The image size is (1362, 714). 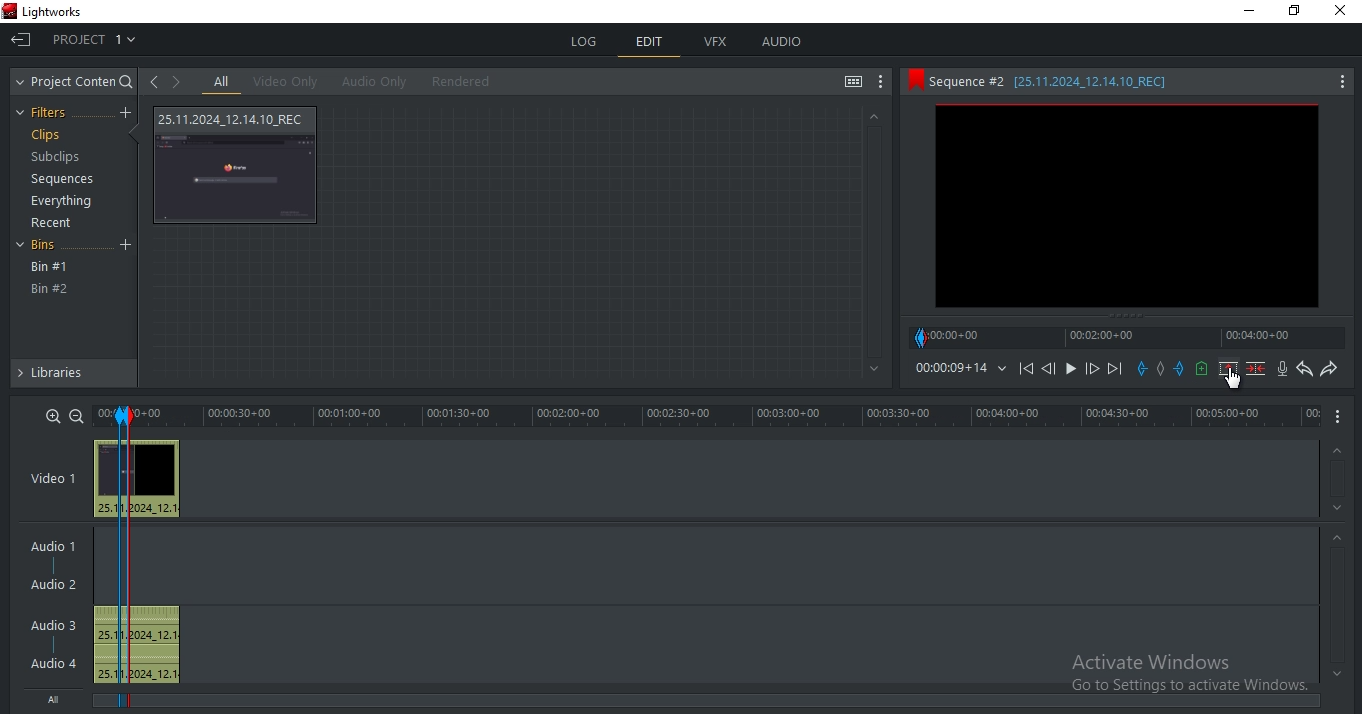 I want to click on add a cue, so click(x=1203, y=369).